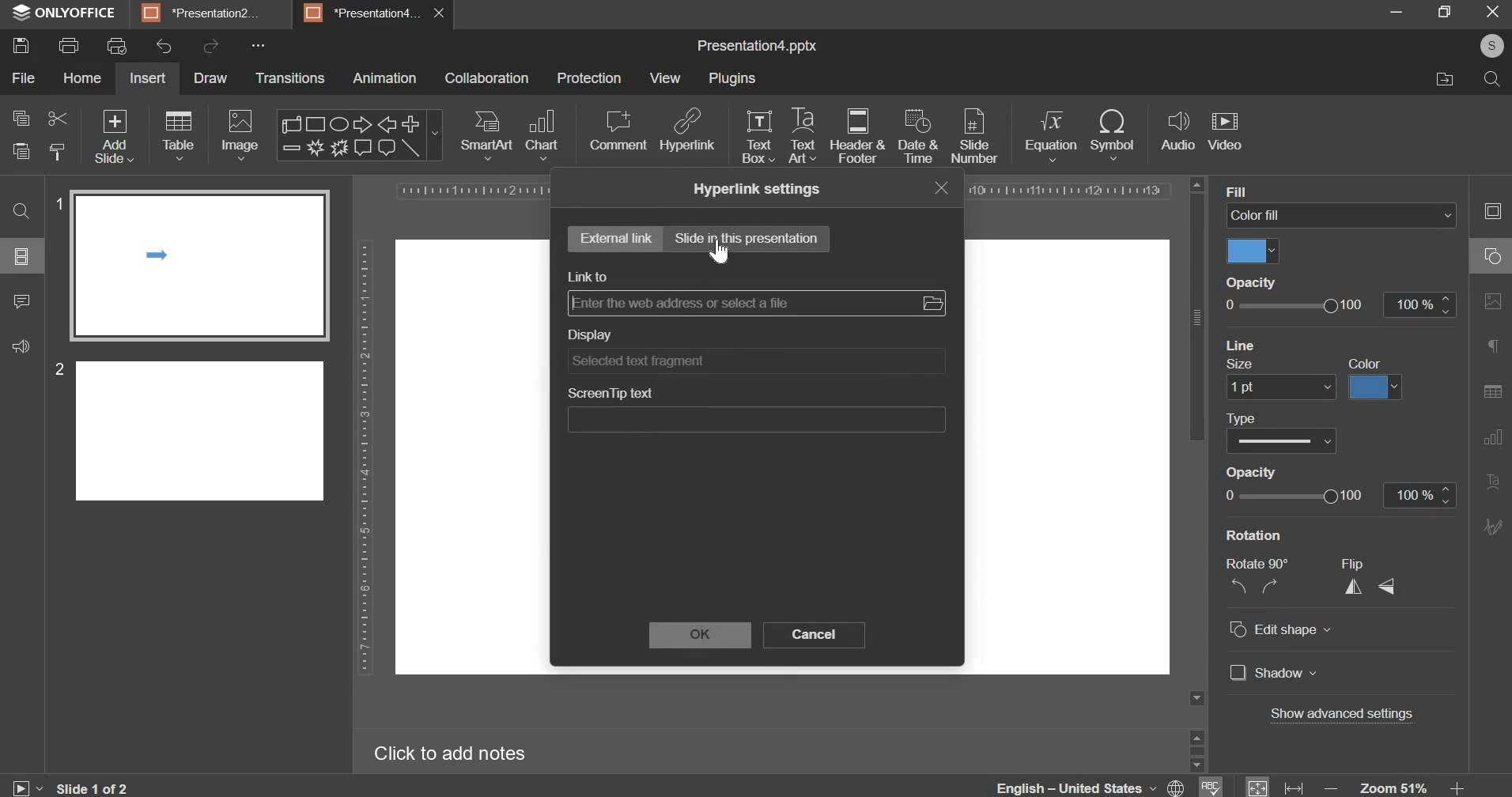 The height and width of the screenshot is (797, 1512). What do you see at coordinates (1291, 500) in the screenshot?
I see `` at bounding box center [1291, 500].